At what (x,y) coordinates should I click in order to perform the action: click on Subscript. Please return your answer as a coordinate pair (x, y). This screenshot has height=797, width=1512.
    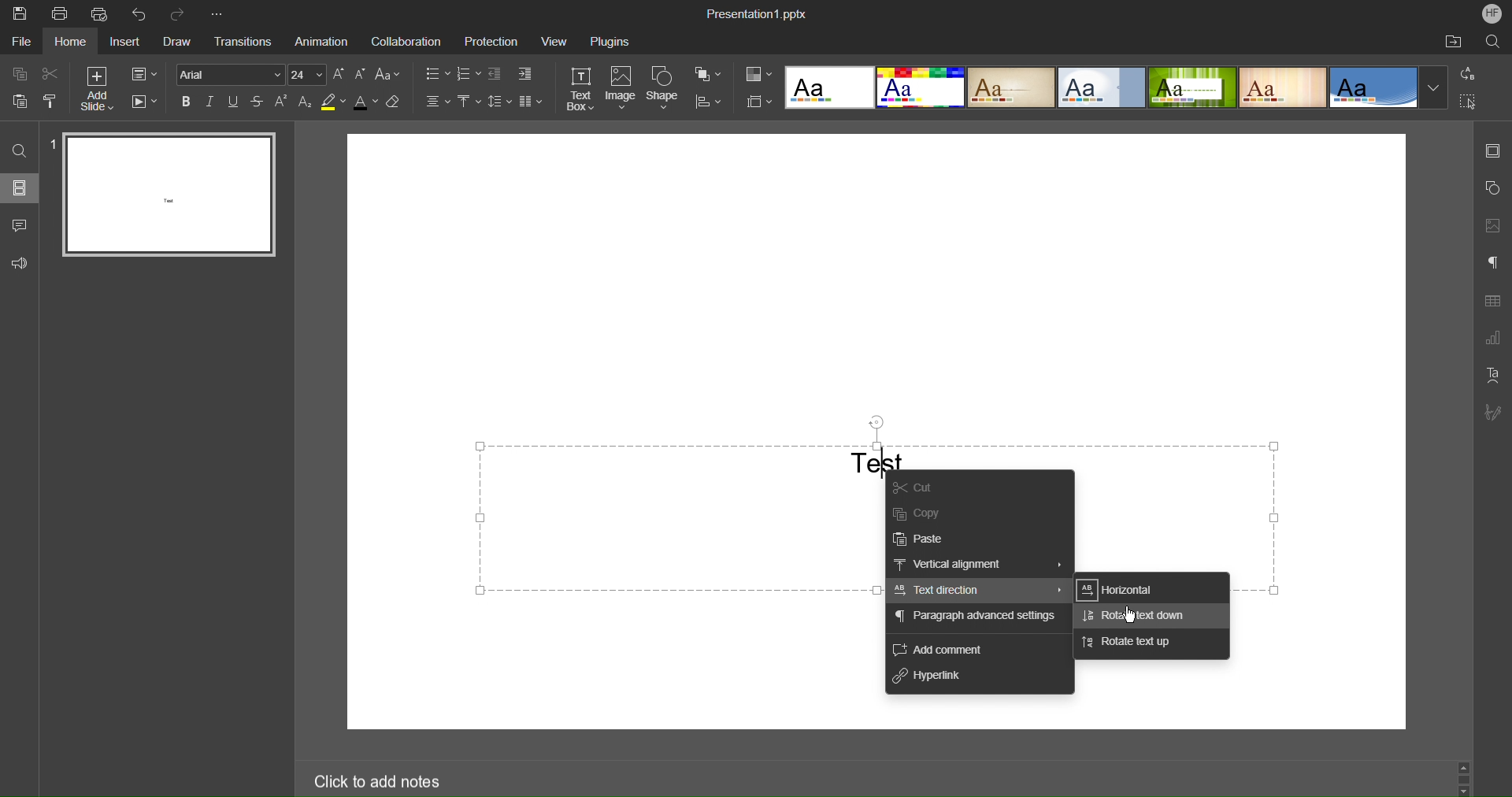
    Looking at the image, I should click on (305, 102).